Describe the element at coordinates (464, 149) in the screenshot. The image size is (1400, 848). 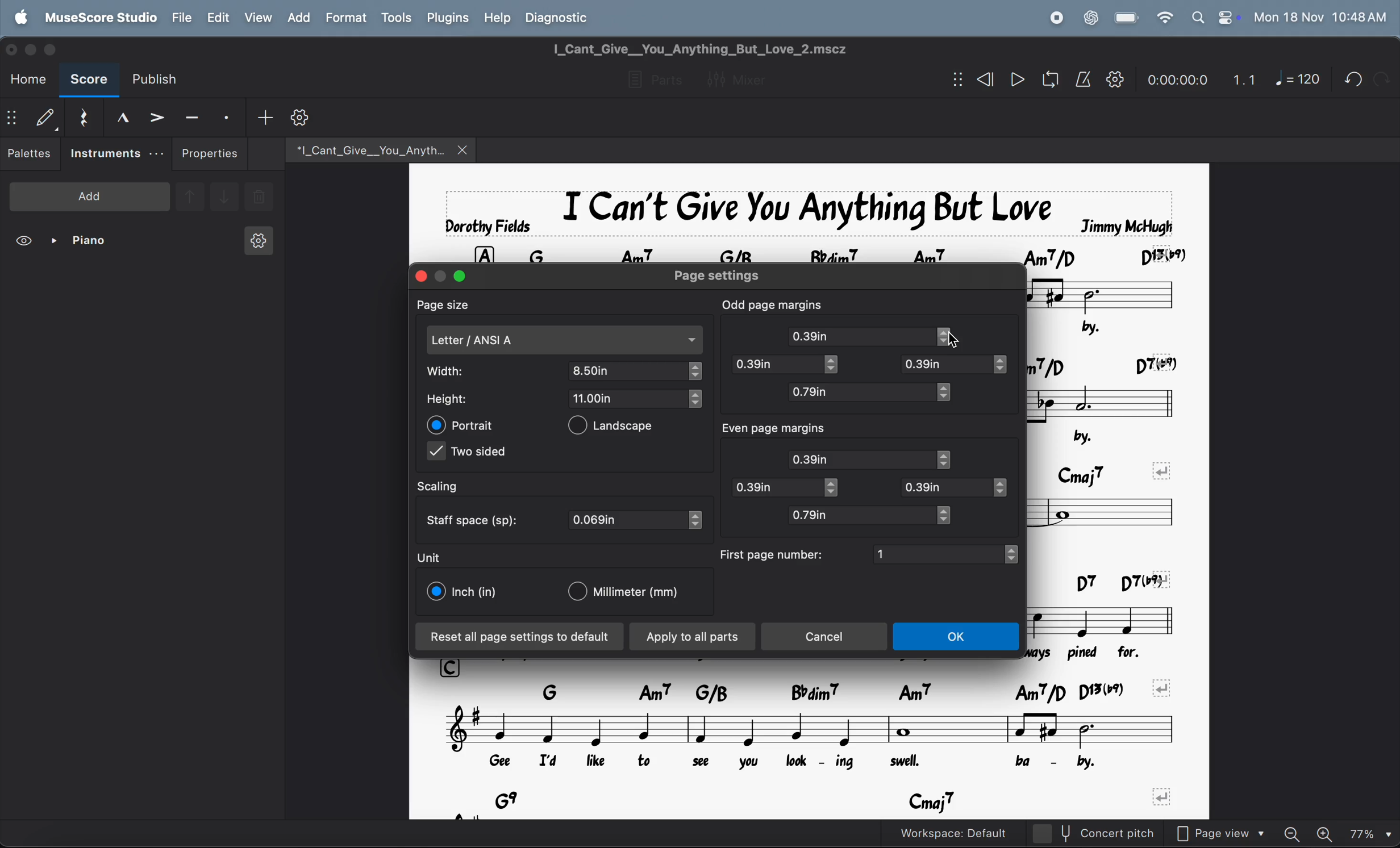
I see `close` at that location.